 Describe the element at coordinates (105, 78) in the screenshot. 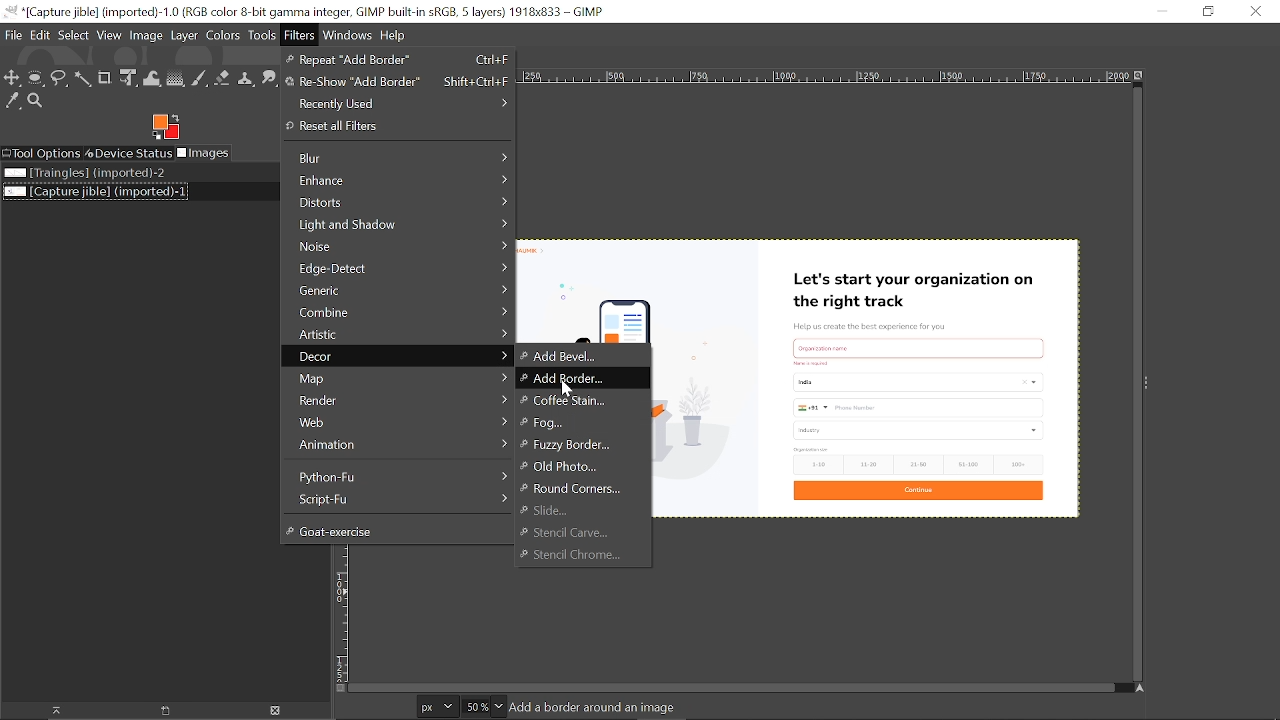

I see `Crop tool` at that location.